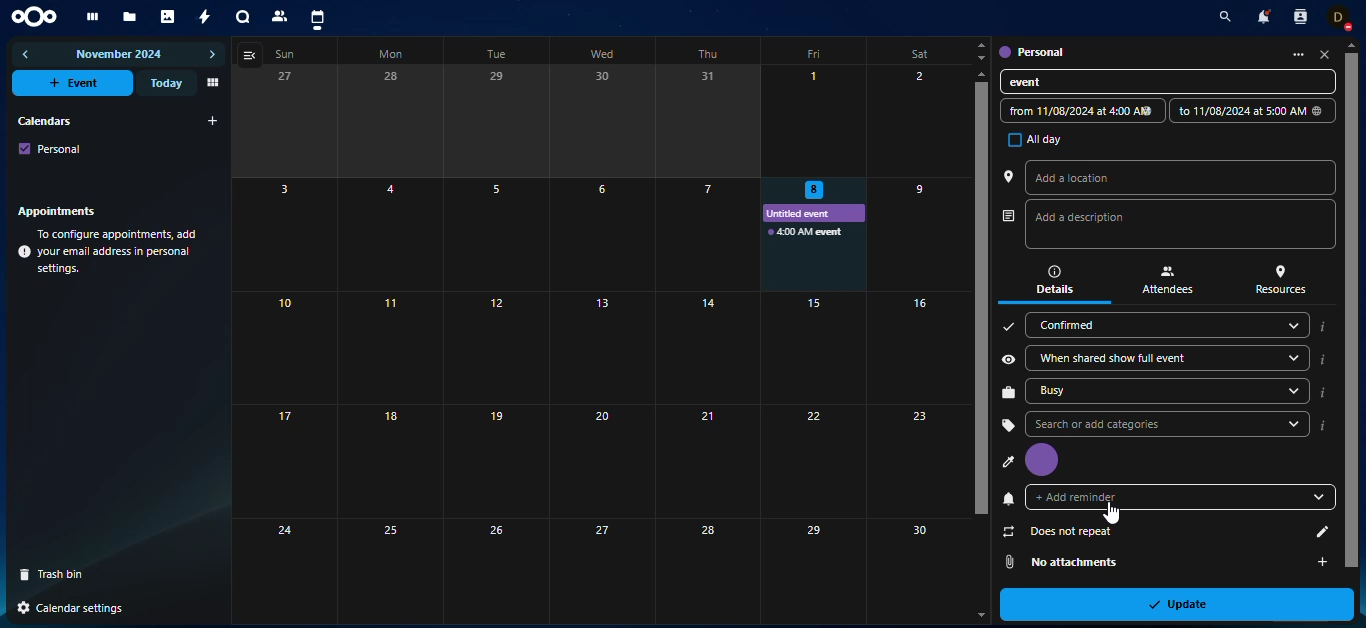  What do you see at coordinates (981, 299) in the screenshot?
I see `scrollbar` at bounding box center [981, 299].